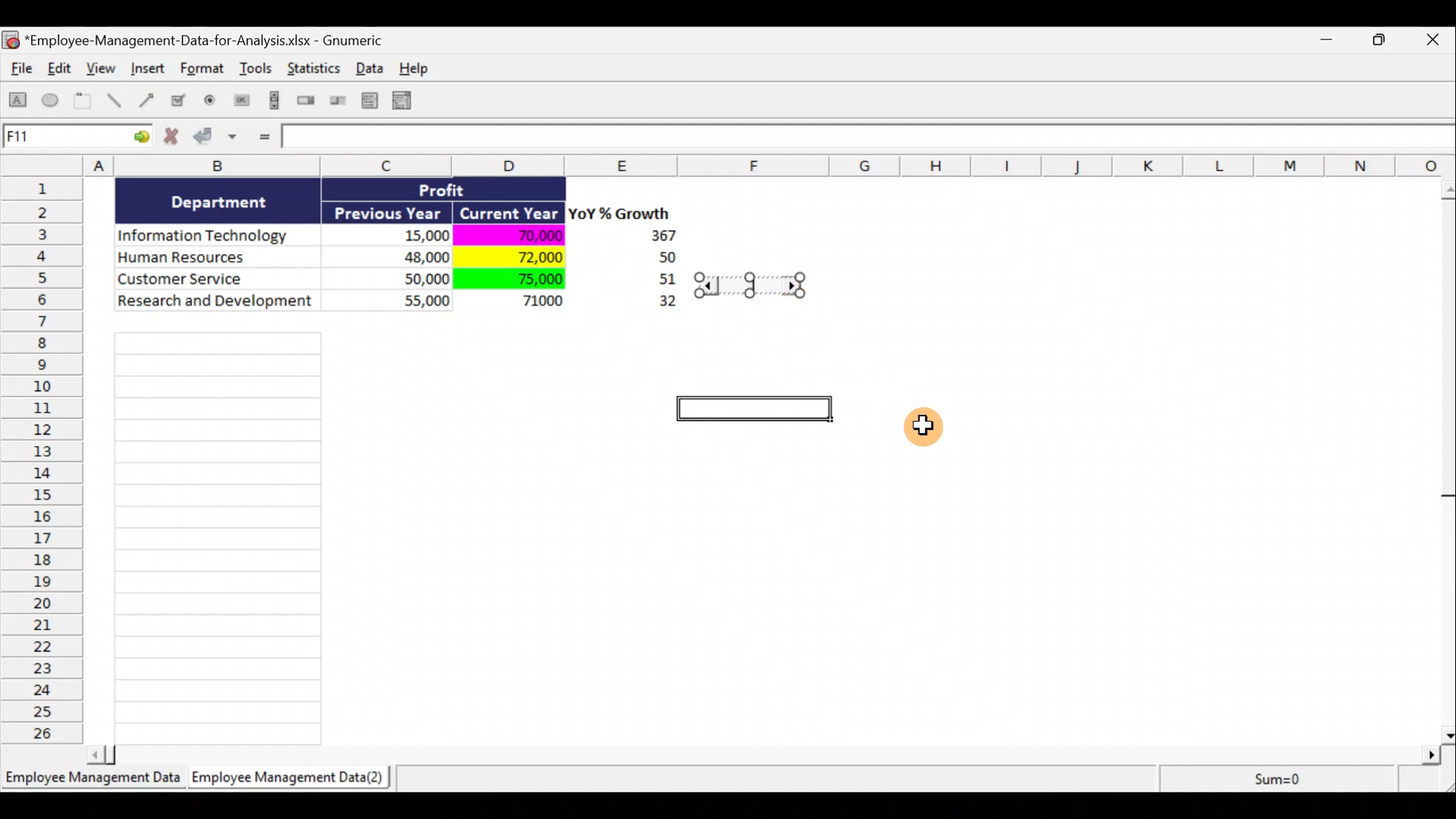 The image size is (1456, 819). What do you see at coordinates (117, 101) in the screenshot?
I see `Create a line object` at bounding box center [117, 101].